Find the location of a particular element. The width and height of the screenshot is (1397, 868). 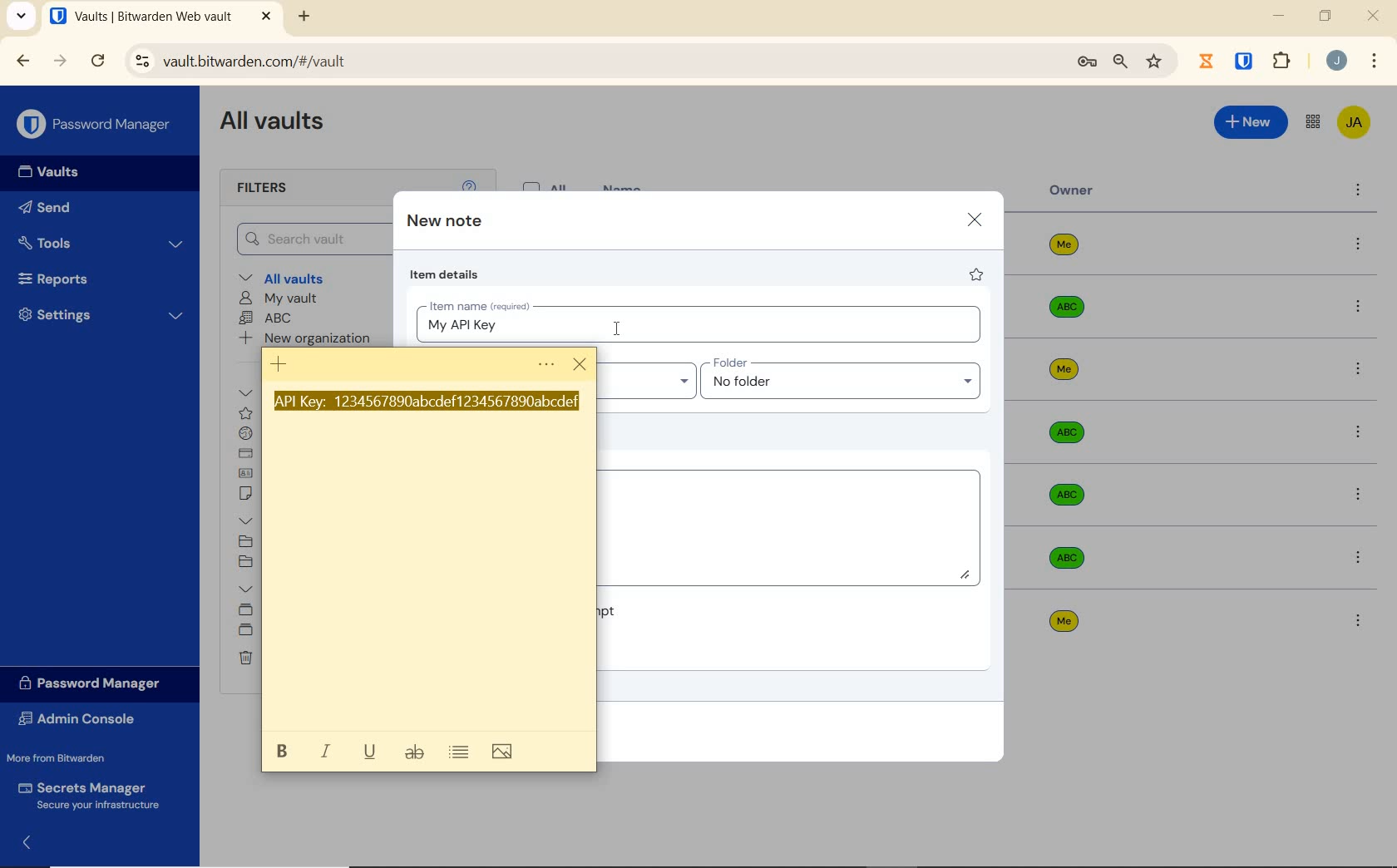

No folder is located at coordinates (244, 562).